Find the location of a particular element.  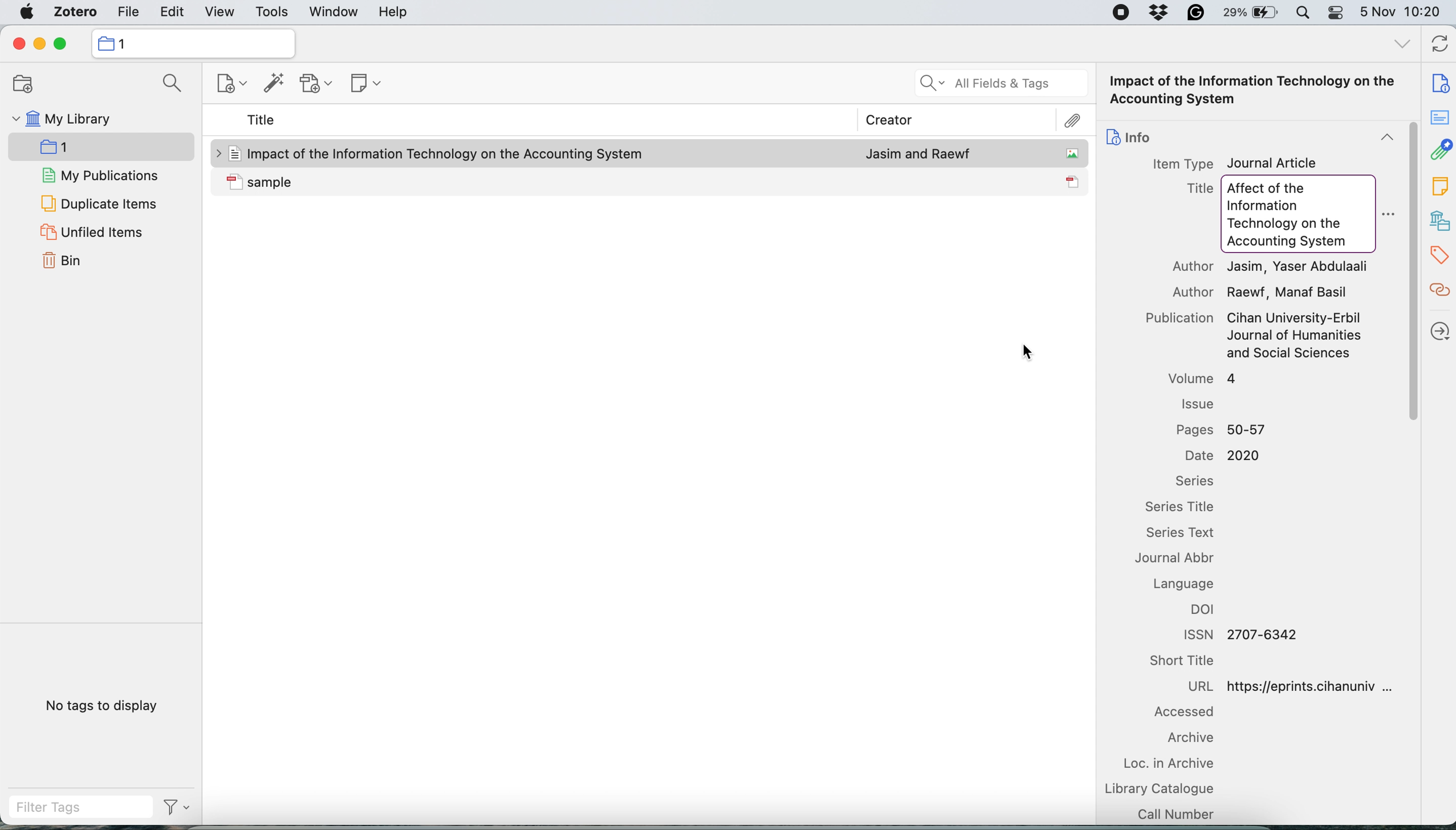

all fields and tags is located at coordinates (998, 83).